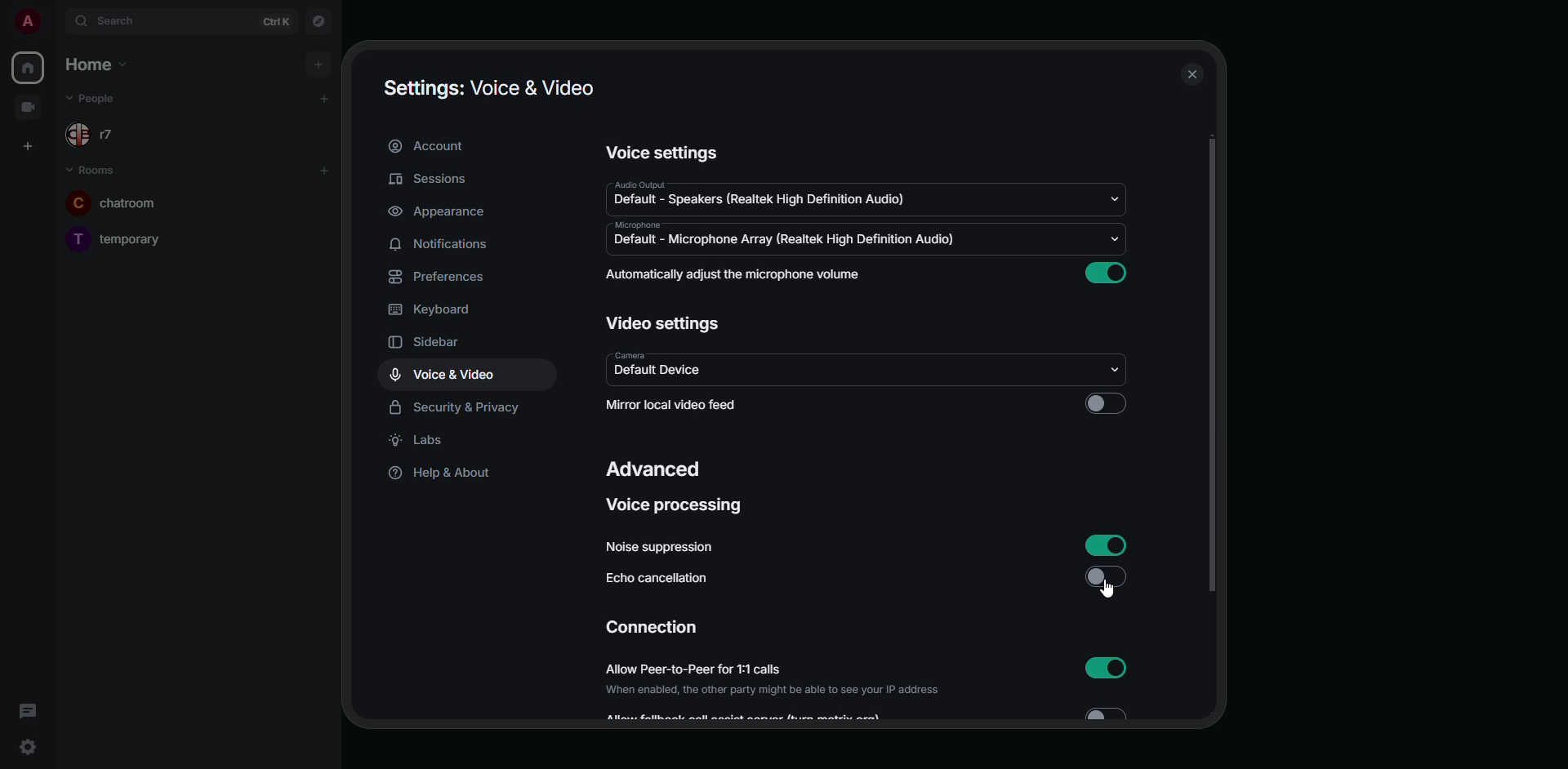 The image size is (1568, 769). What do you see at coordinates (1107, 591) in the screenshot?
I see `cursor` at bounding box center [1107, 591].